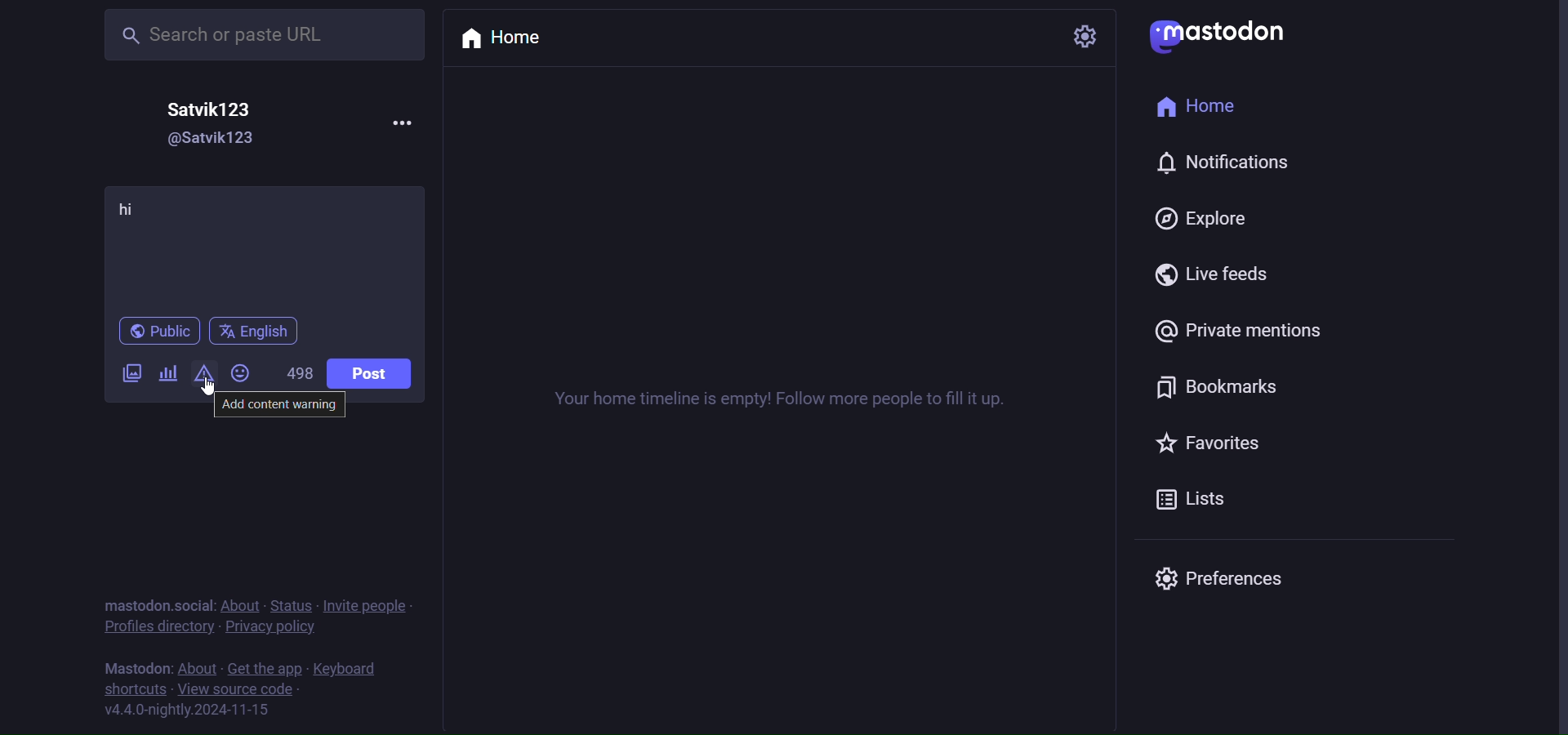  Describe the element at coordinates (300, 374) in the screenshot. I see `word limit` at that location.